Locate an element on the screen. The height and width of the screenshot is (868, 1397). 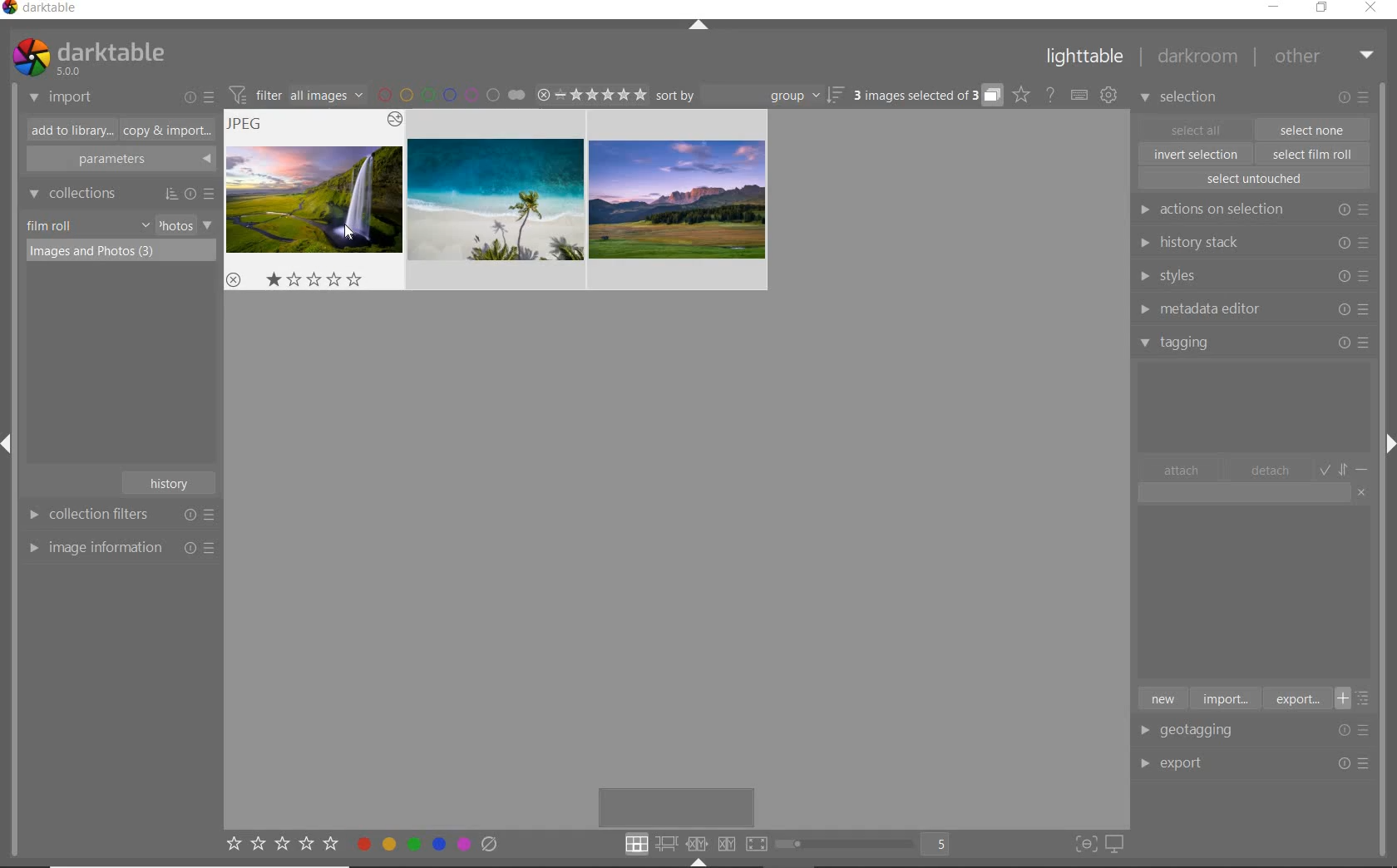
Expand is located at coordinates (13, 447).